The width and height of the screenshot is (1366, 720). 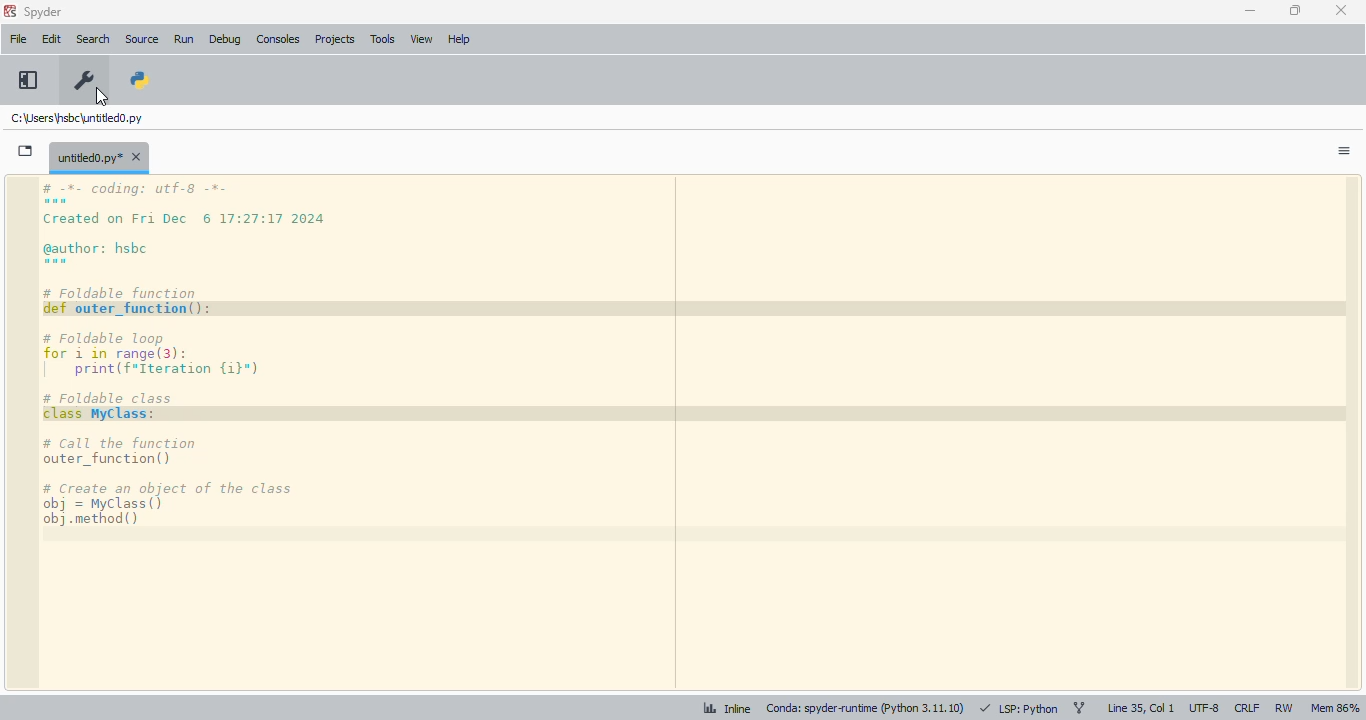 I want to click on close, so click(x=1341, y=10).